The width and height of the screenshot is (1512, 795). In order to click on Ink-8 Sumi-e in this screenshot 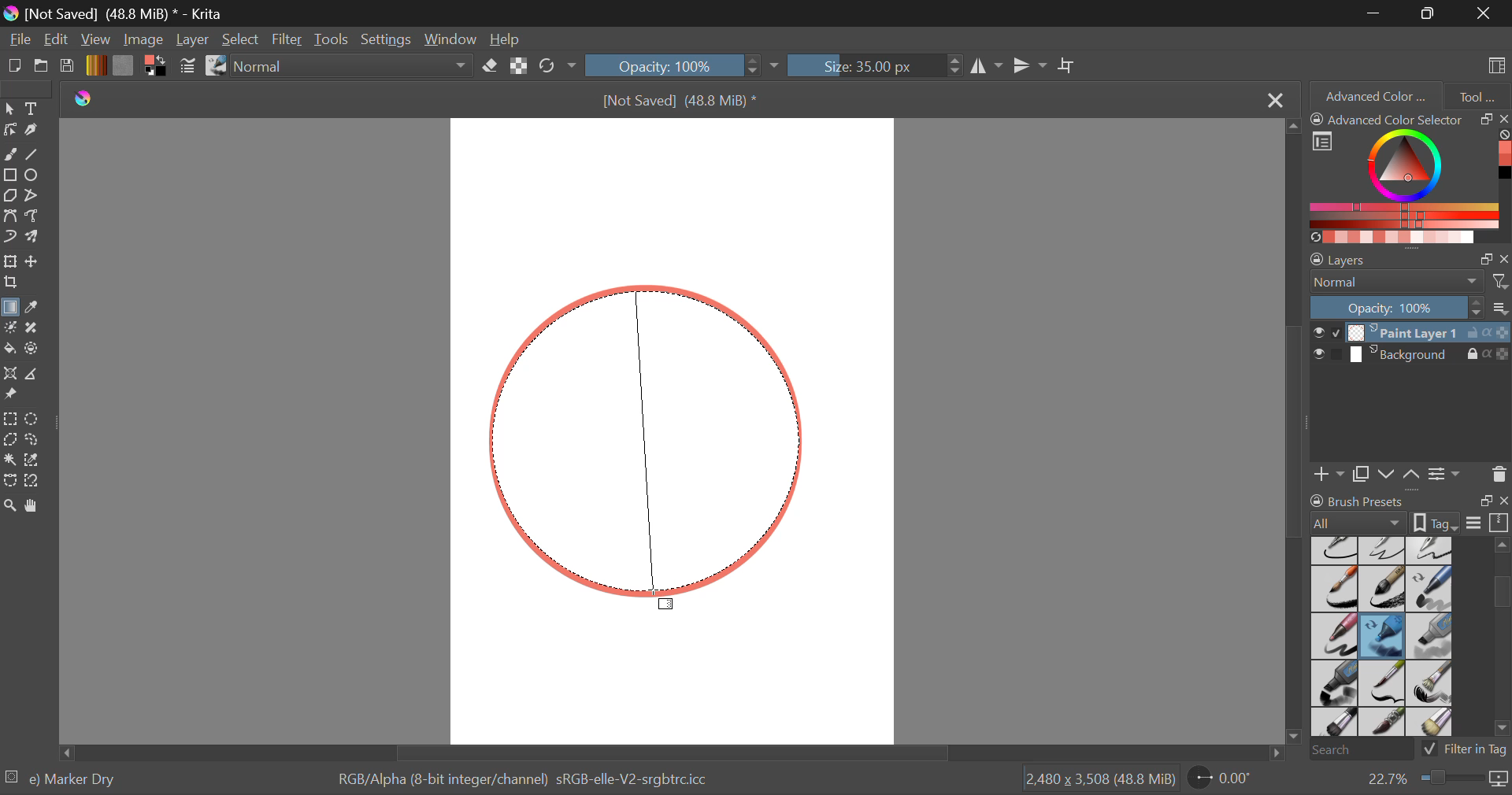, I will do `click(1382, 590)`.